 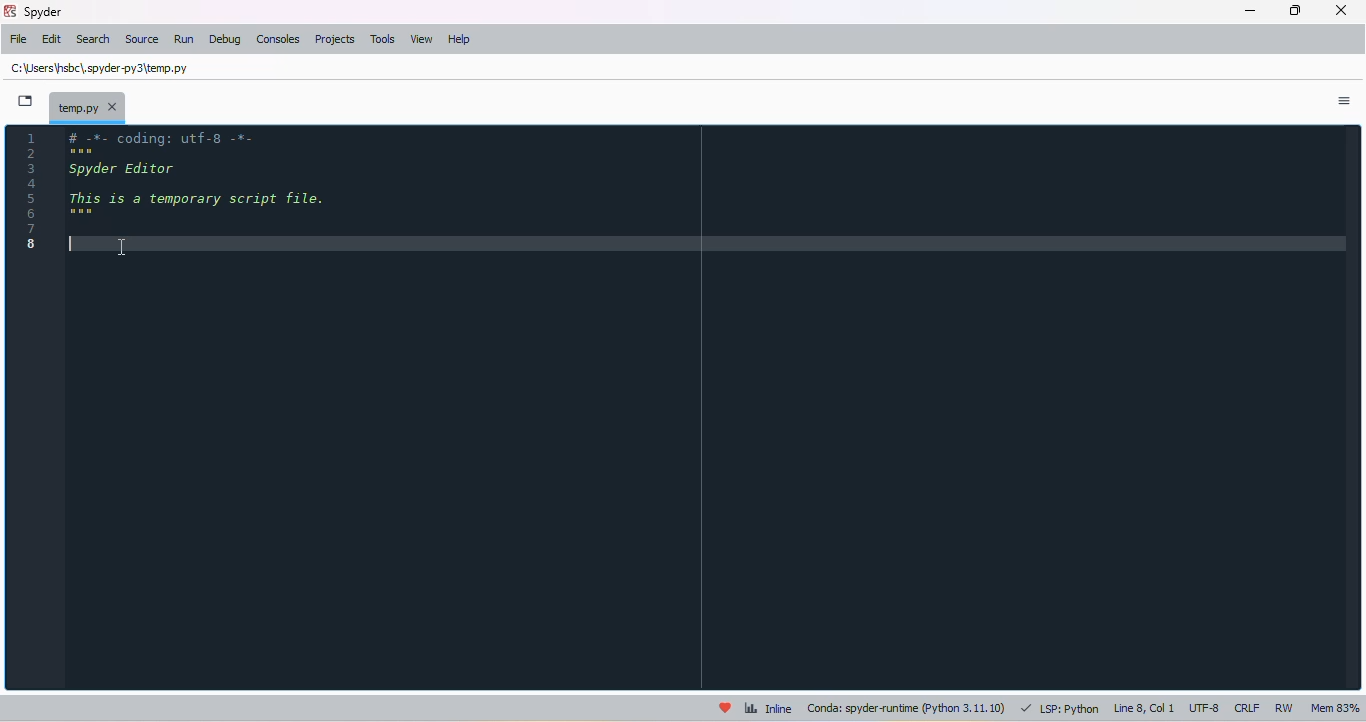 What do you see at coordinates (421, 39) in the screenshot?
I see `view` at bounding box center [421, 39].